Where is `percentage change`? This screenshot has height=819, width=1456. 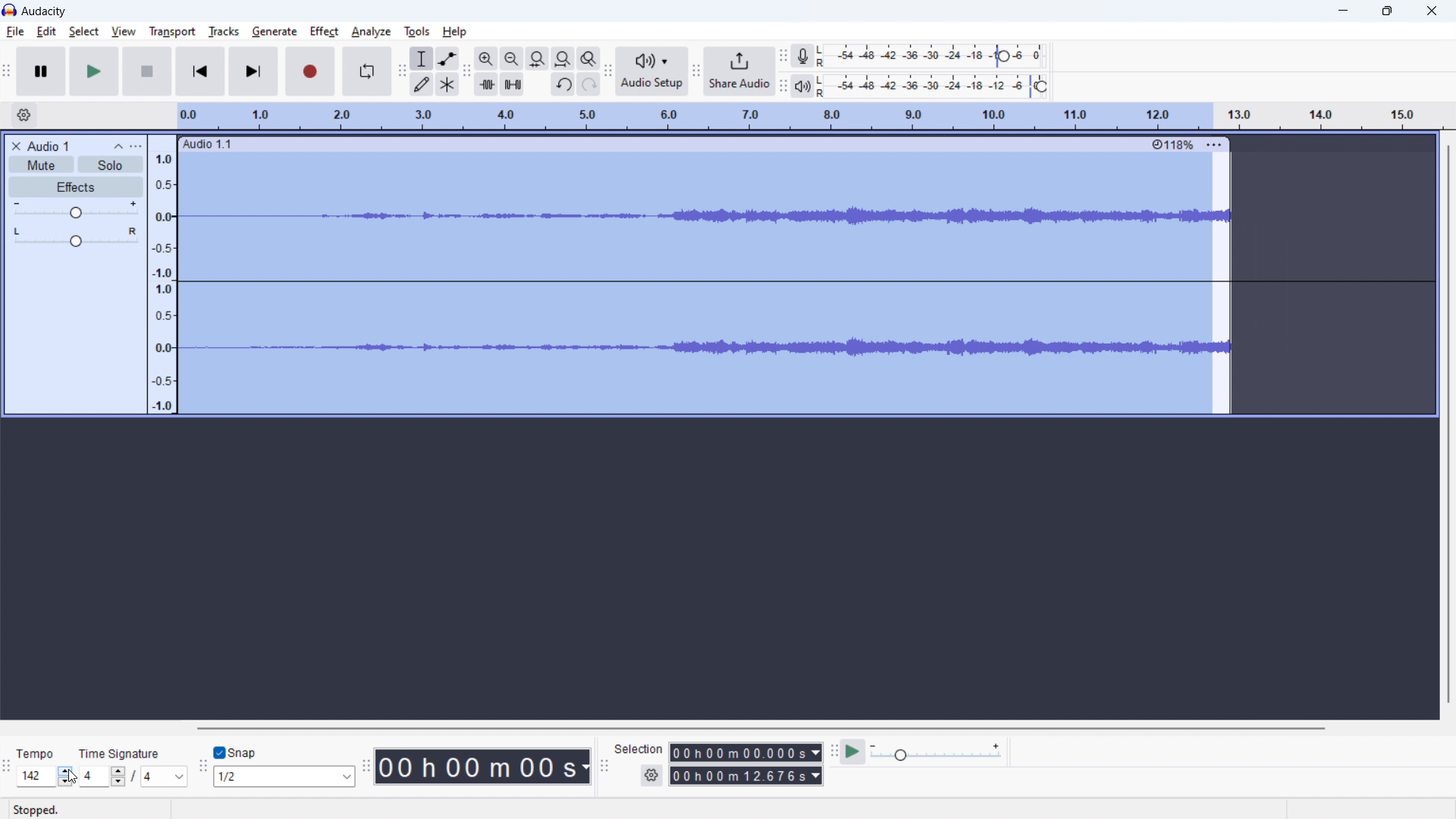
percentage change is located at coordinates (1172, 145).